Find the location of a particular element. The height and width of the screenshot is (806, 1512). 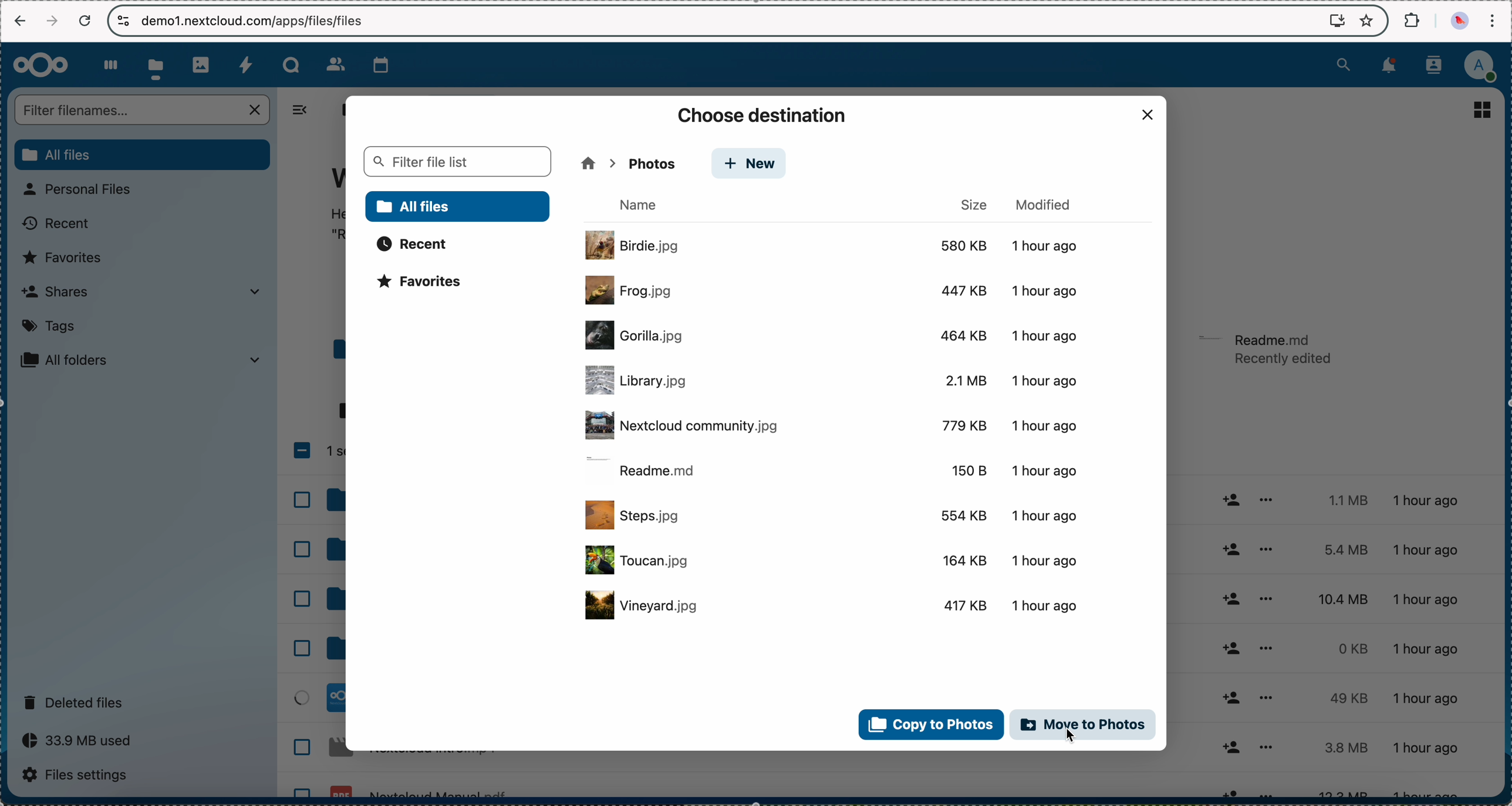

search is located at coordinates (1342, 65).